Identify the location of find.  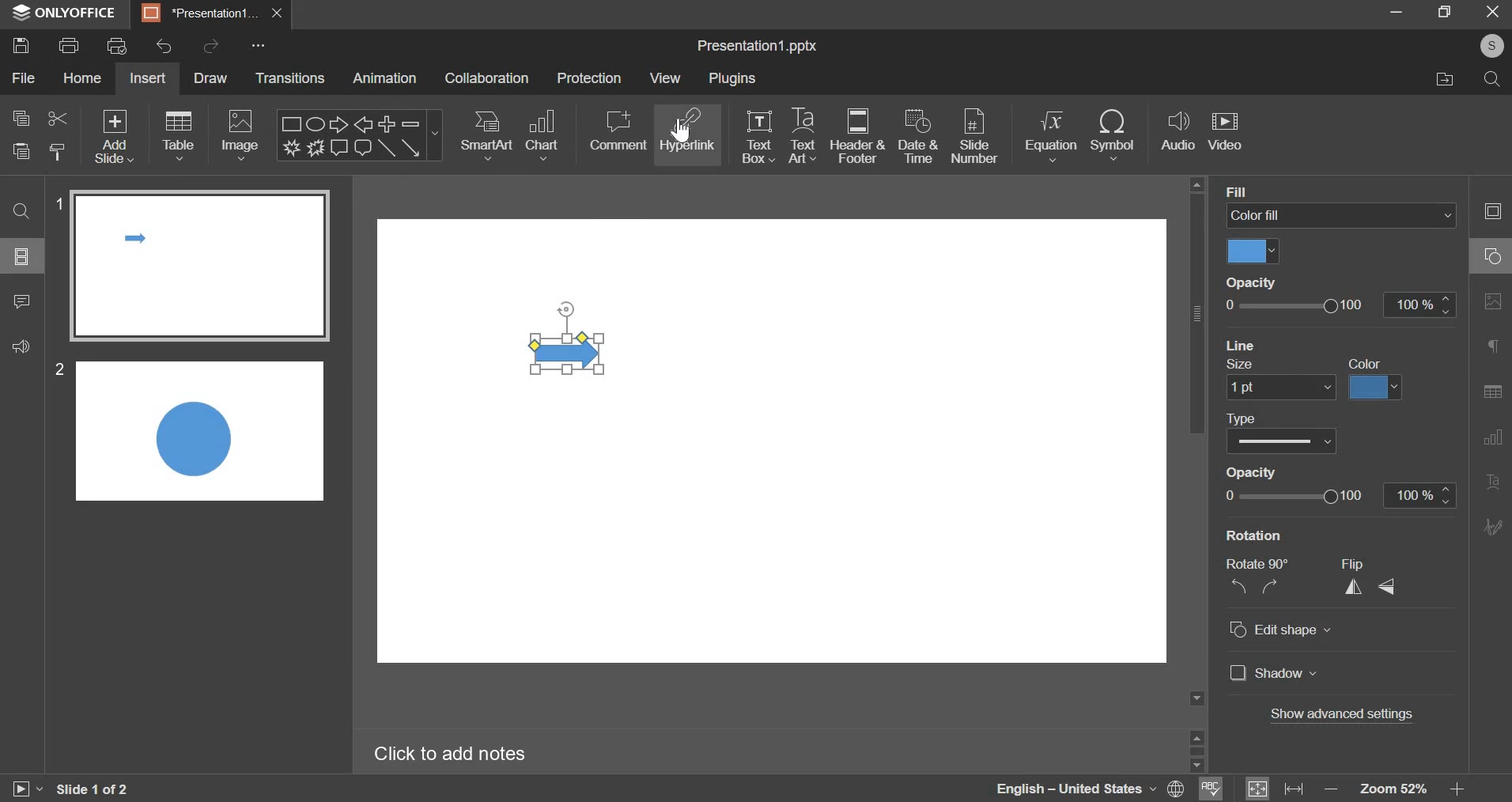
(20, 210).